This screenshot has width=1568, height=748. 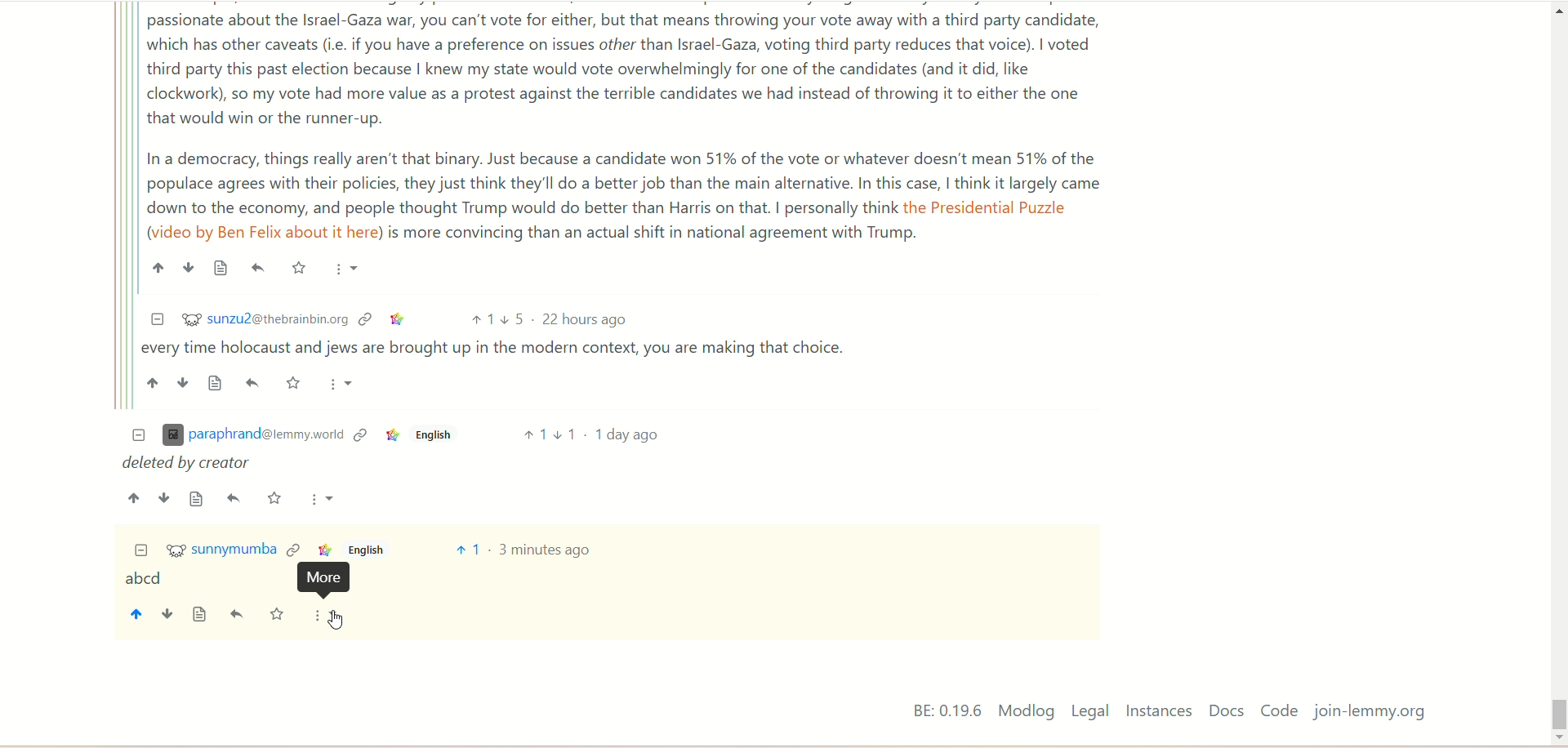 What do you see at coordinates (135, 617) in the screenshot?
I see `upvote` at bounding box center [135, 617].